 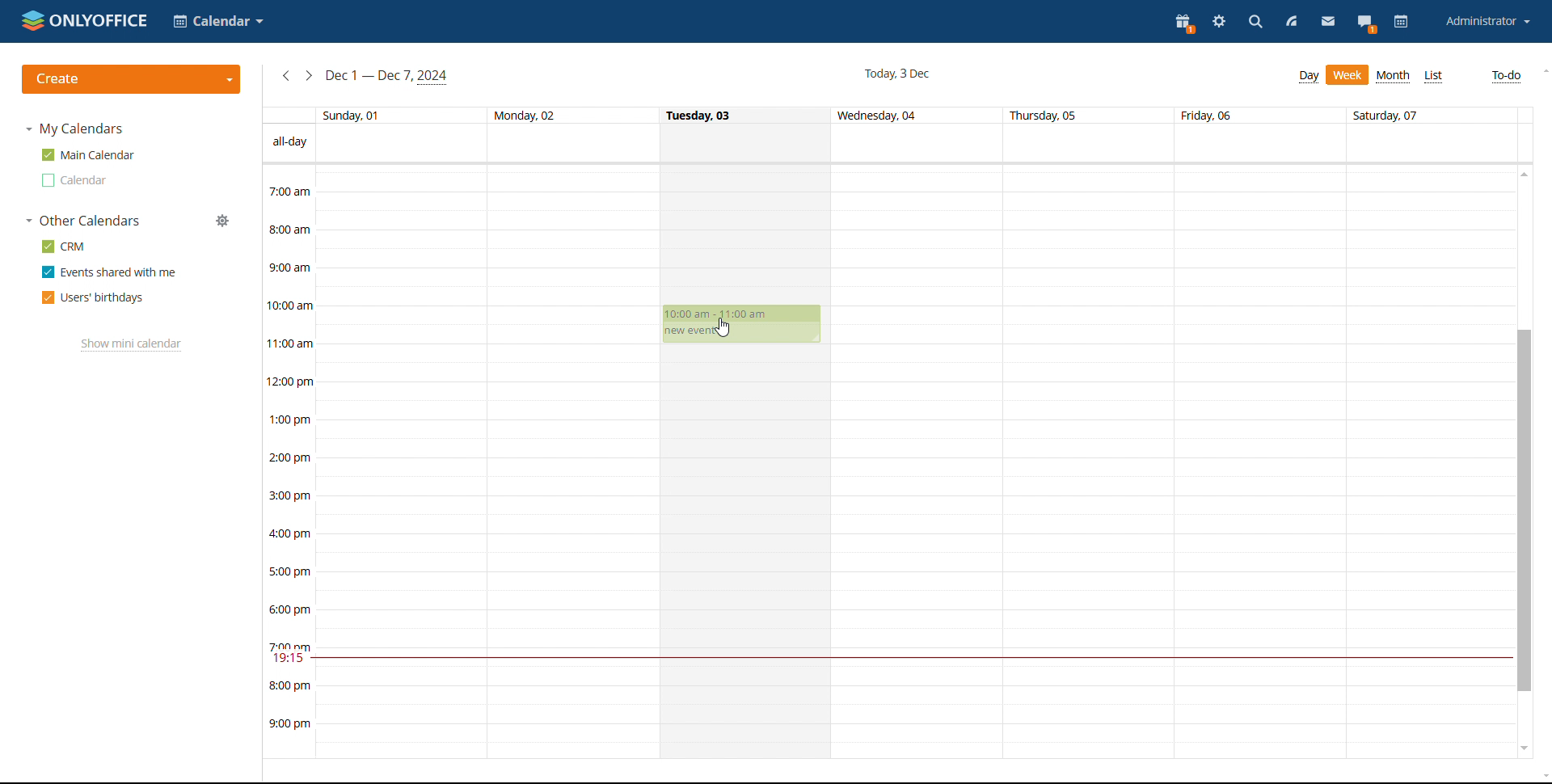 I want to click on 4:00 pm, so click(x=293, y=533).